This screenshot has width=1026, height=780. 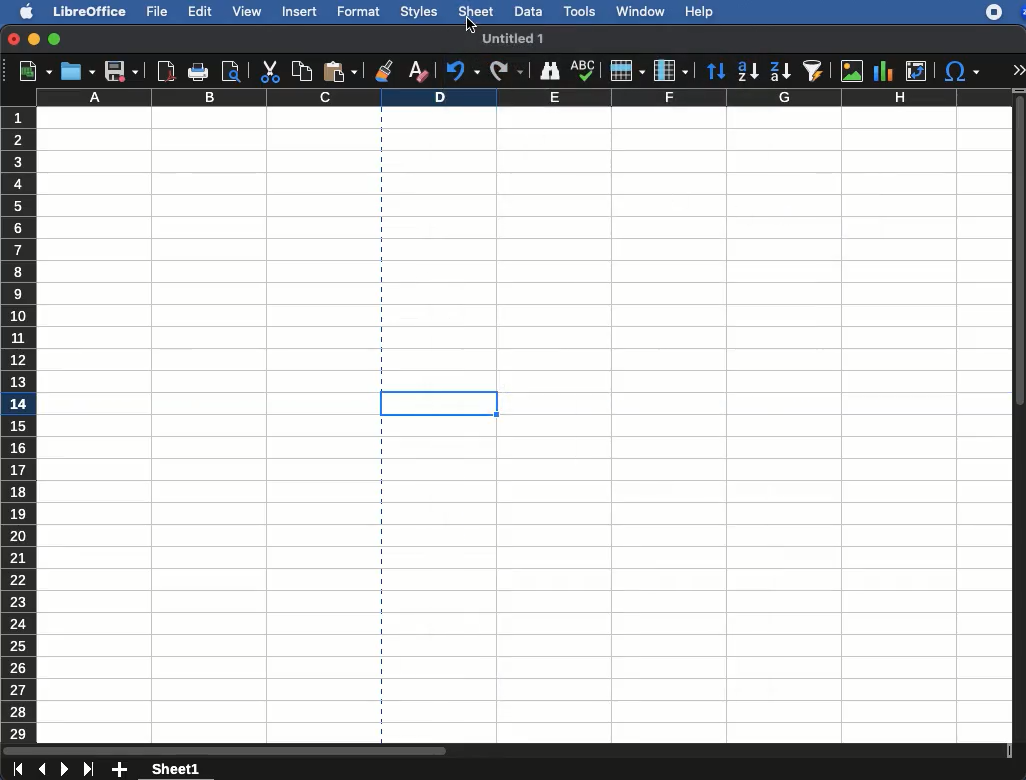 What do you see at coordinates (436, 414) in the screenshot?
I see `cell selected` at bounding box center [436, 414].